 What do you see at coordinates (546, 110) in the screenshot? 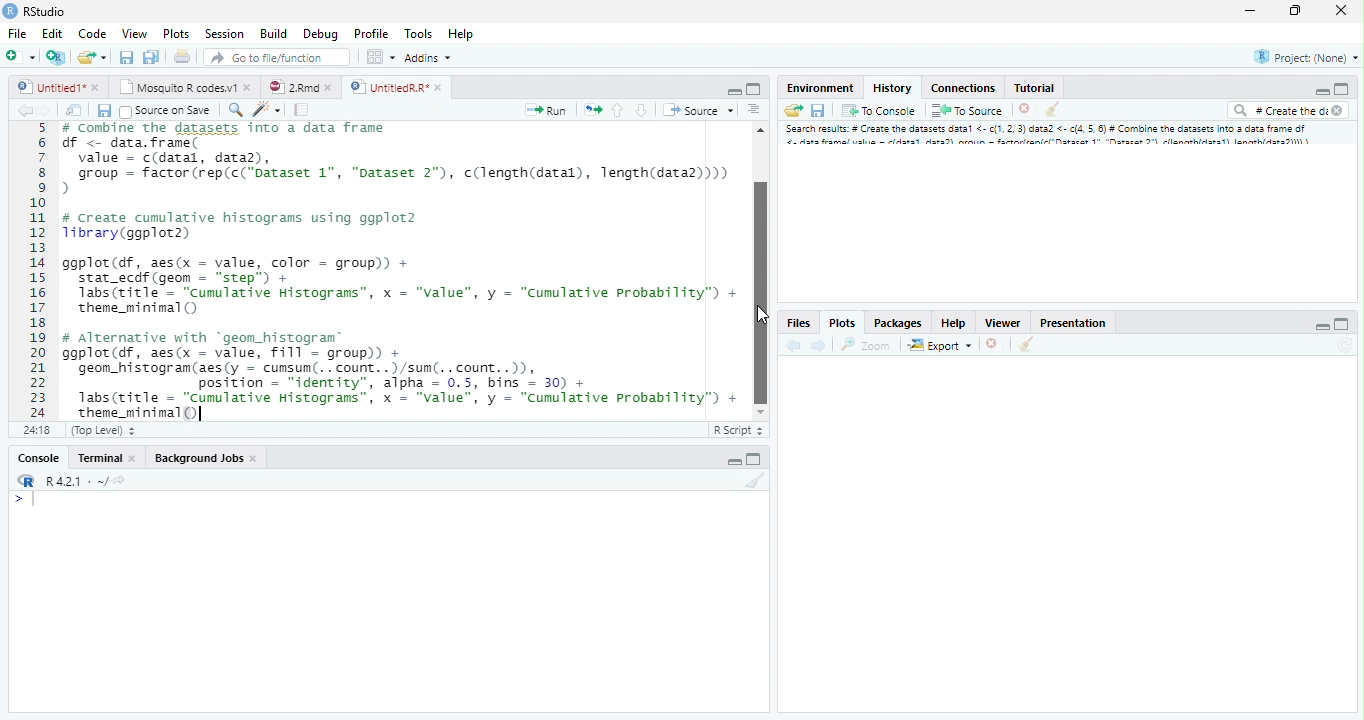
I see `Run` at bounding box center [546, 110].